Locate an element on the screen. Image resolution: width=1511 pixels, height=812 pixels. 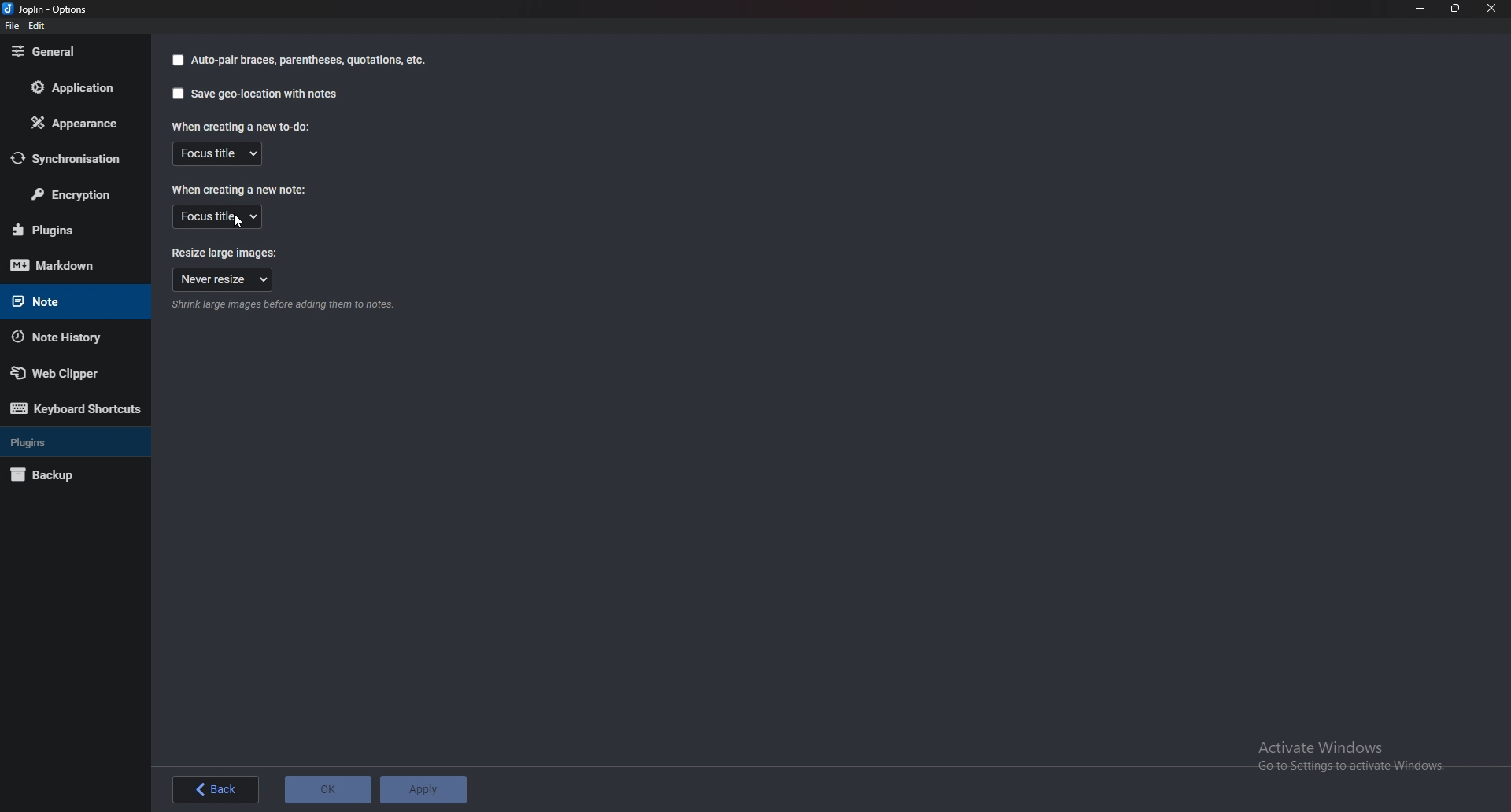
back is located at coordinates (214, 788).